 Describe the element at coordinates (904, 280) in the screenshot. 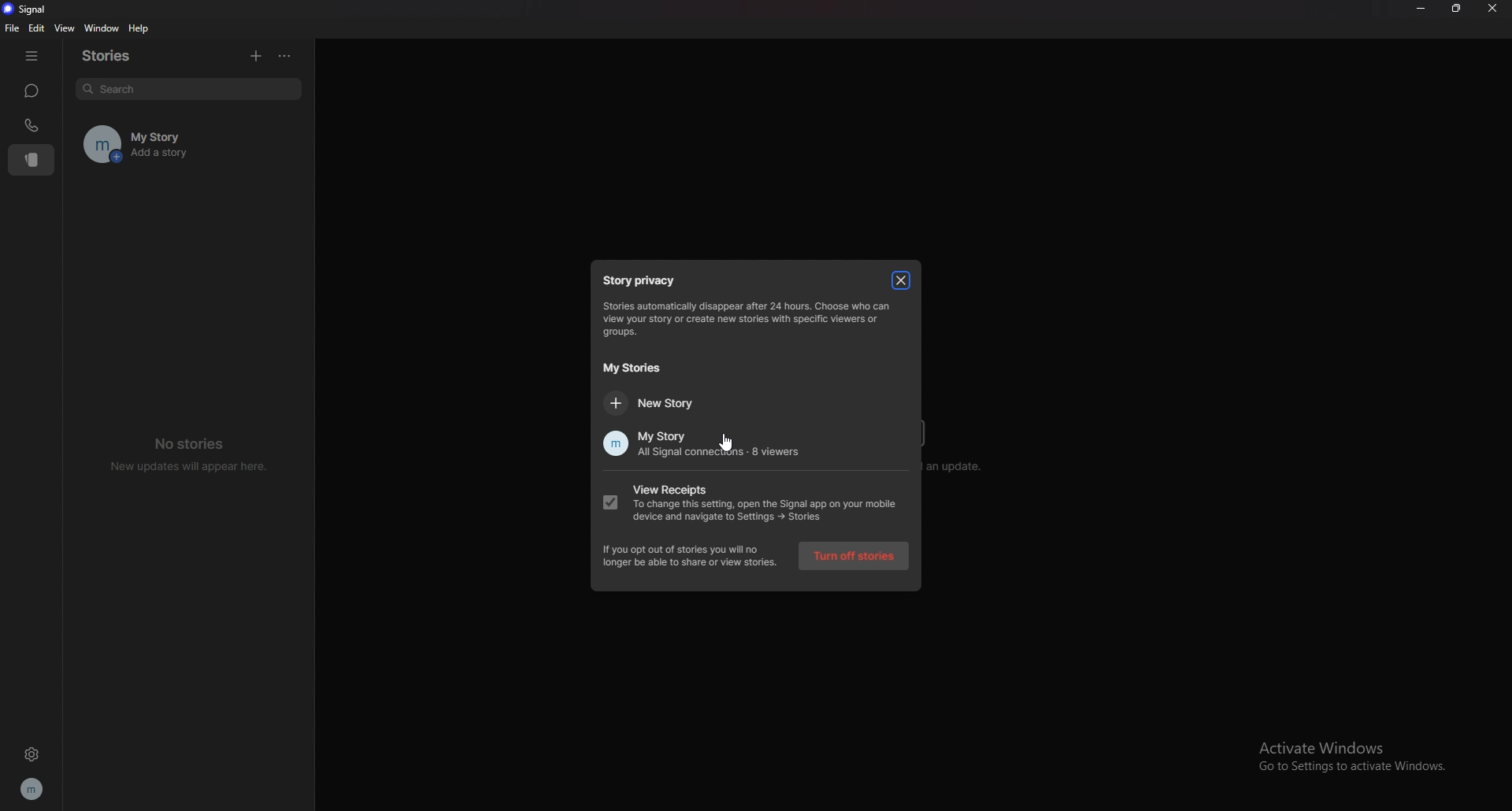

I see `close` at that location.